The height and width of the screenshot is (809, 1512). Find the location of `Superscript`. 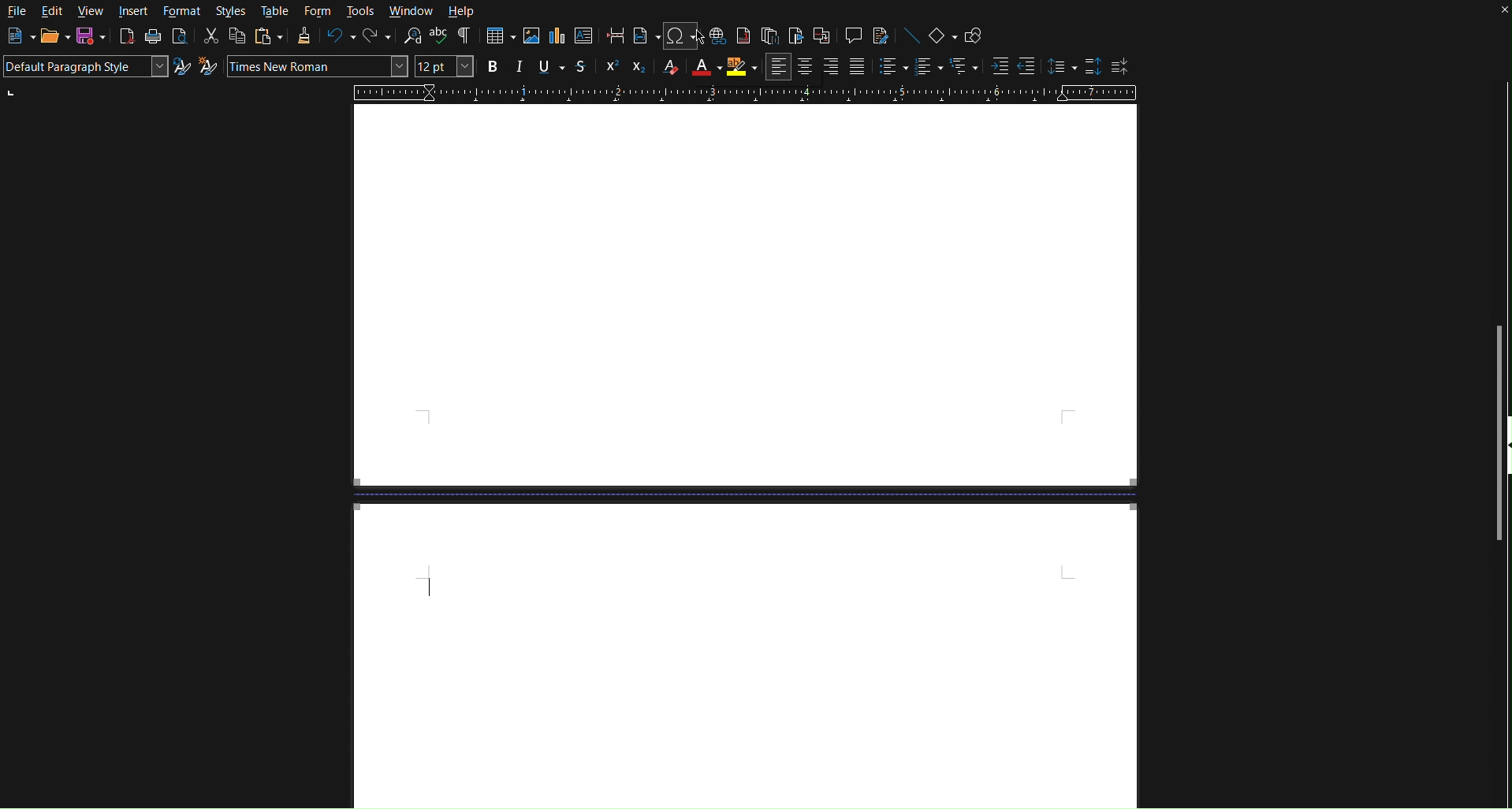

Superscript is located at coordinates (610, 68).